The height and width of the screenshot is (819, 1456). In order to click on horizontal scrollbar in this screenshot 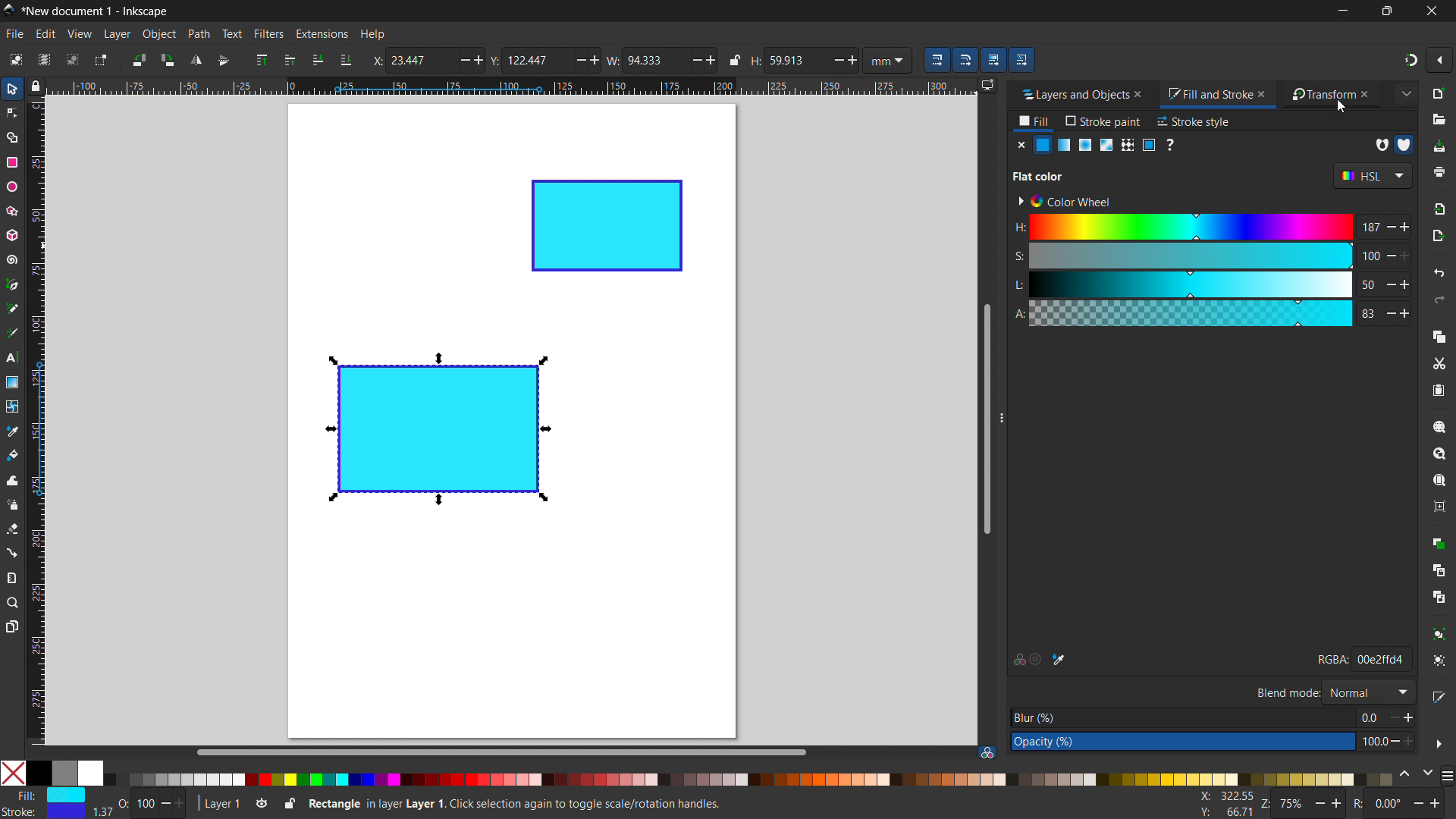, I will do `click(499, 752)`.